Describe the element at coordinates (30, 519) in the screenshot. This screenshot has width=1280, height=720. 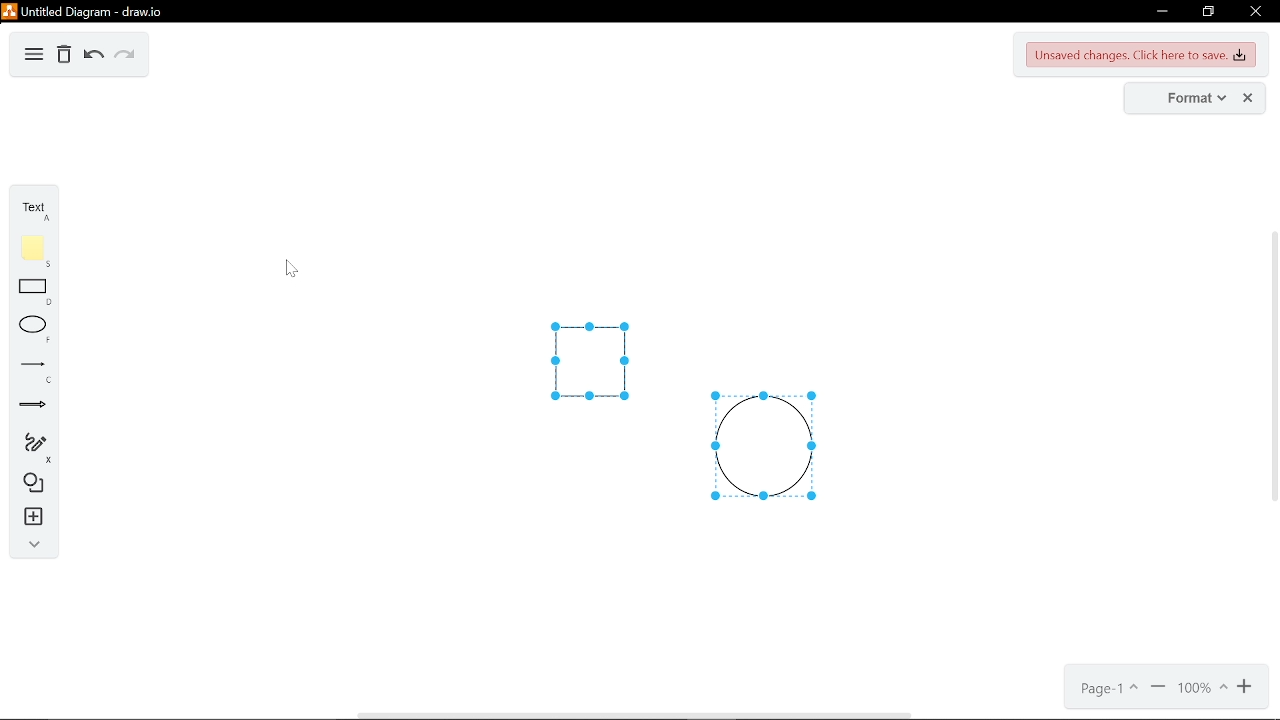
I see `insert` at that location.